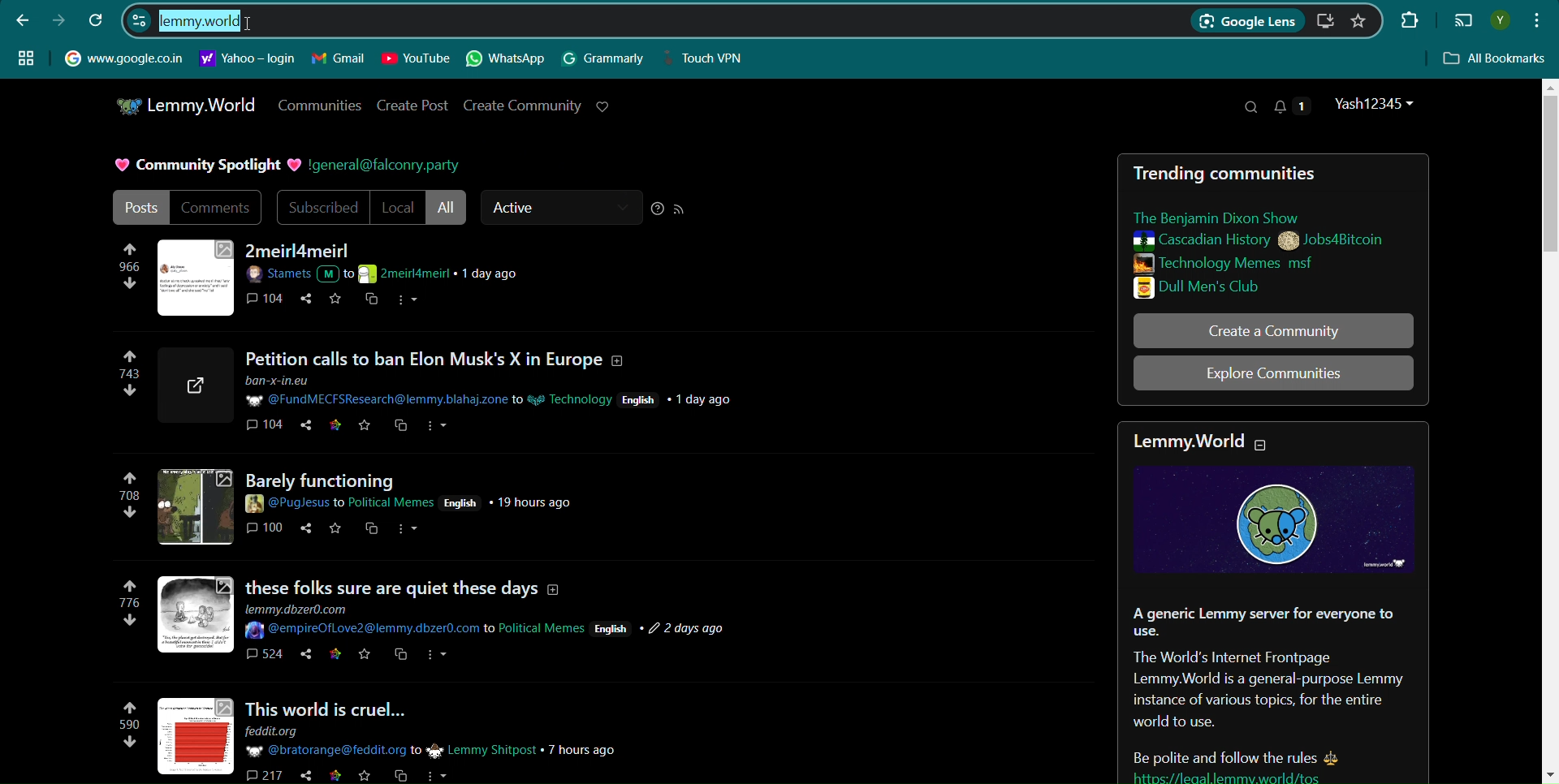 Image resolution: width=1559 pixels, height=784 pixels. What do you see at coordinates (438, 660) in the screenshot?
I see `more` at bounding box center [438, 660].